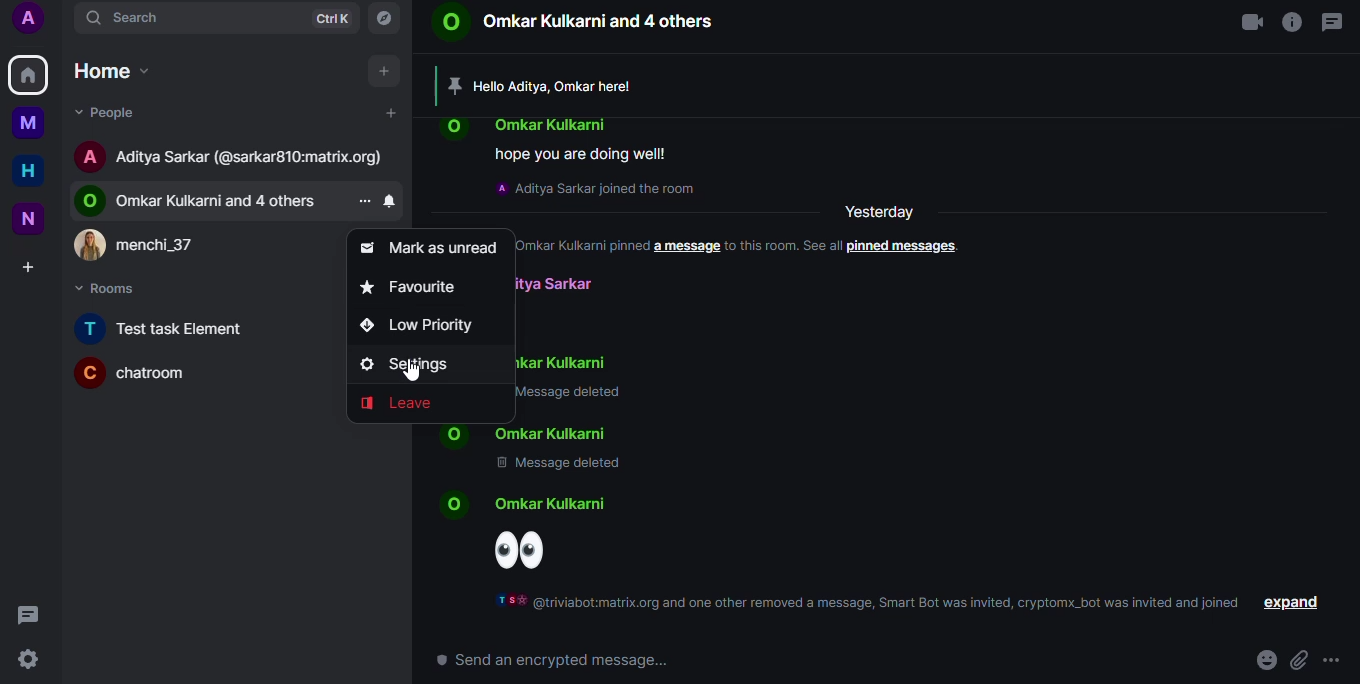 The image size is (1360, 684). I want to click on menchi_37, so click(165, 243).